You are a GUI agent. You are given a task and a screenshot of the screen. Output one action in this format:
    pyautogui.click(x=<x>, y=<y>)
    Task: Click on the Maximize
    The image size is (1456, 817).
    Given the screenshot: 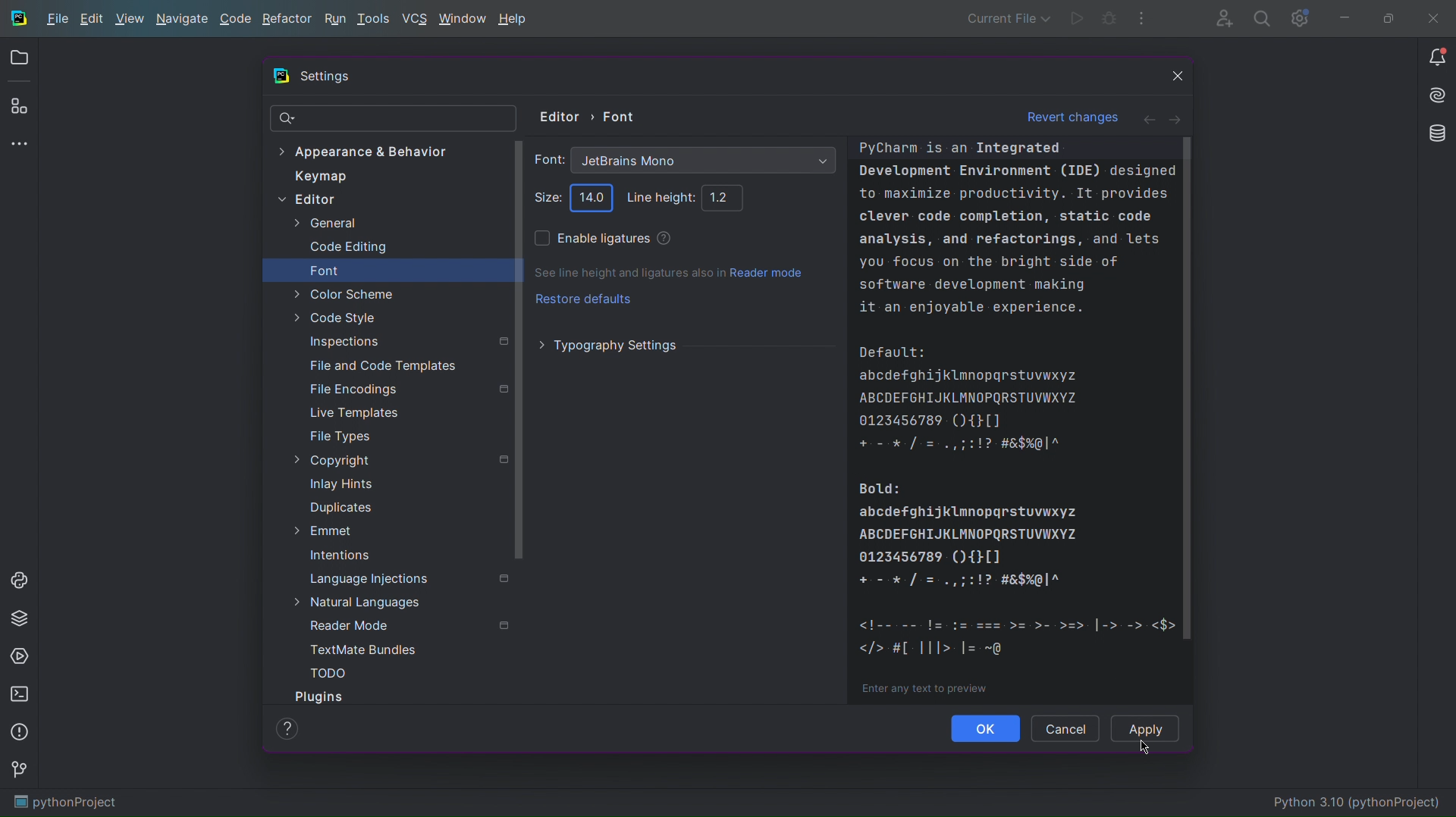 What is the action you would take?
    pyautogui.click(x=1385, y=18)
    